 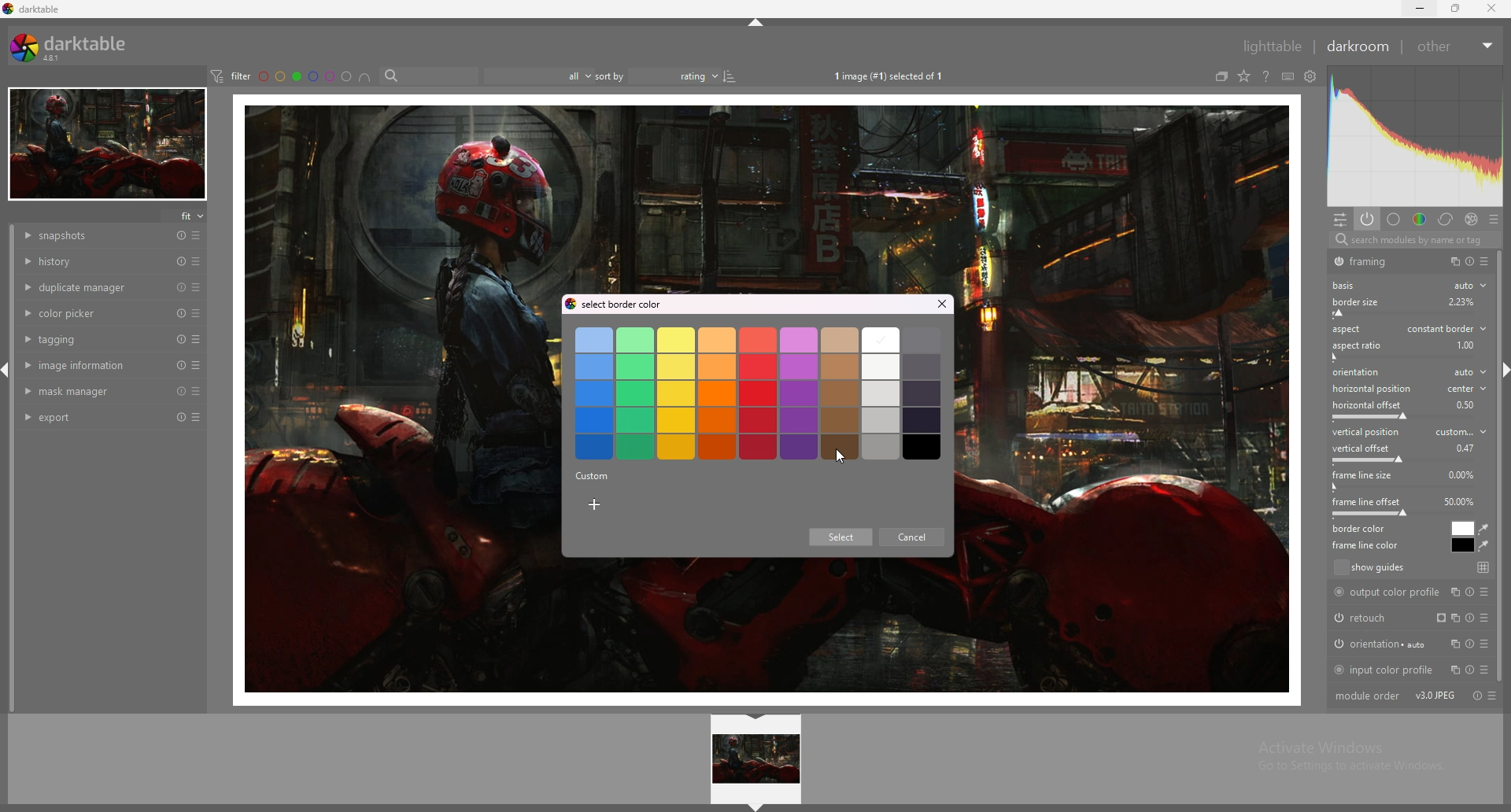 What do you see at coordinates (14, 469) in the screenshot?
I see `scroll bar` at bounding box center [14, 469].